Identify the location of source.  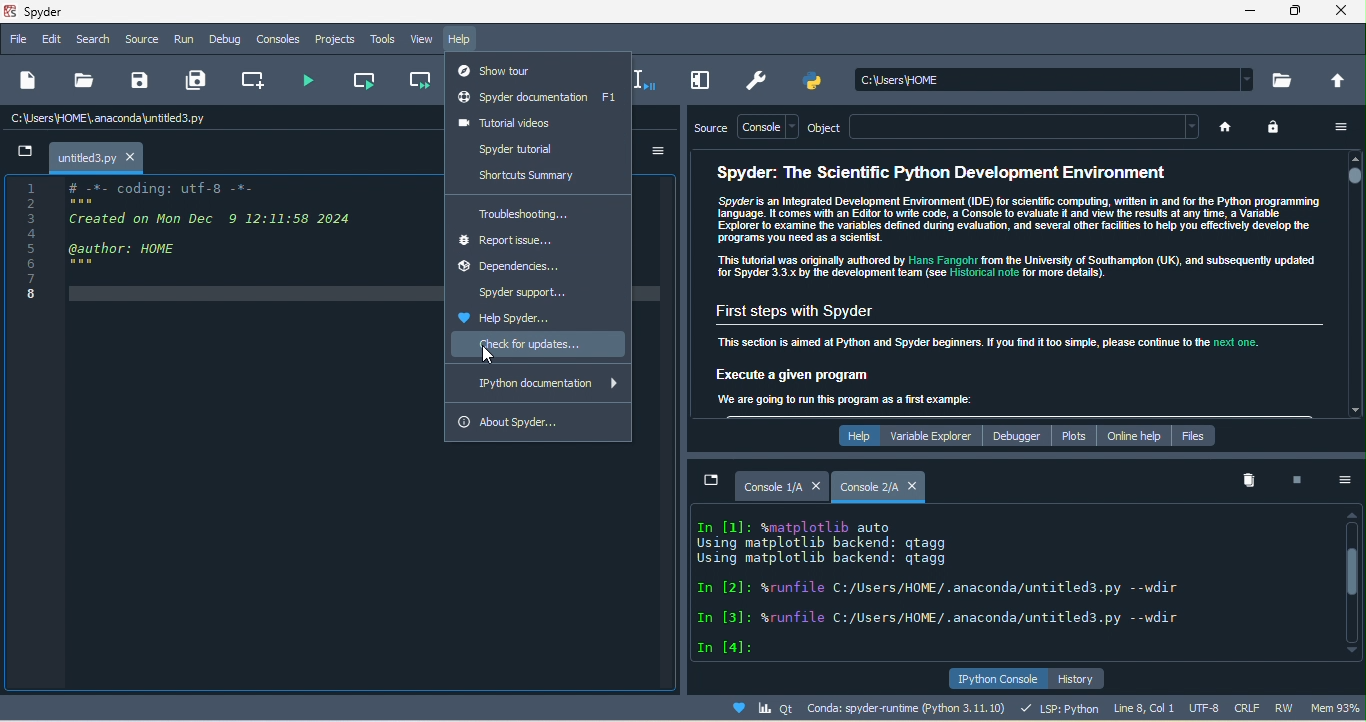
(140, 37).